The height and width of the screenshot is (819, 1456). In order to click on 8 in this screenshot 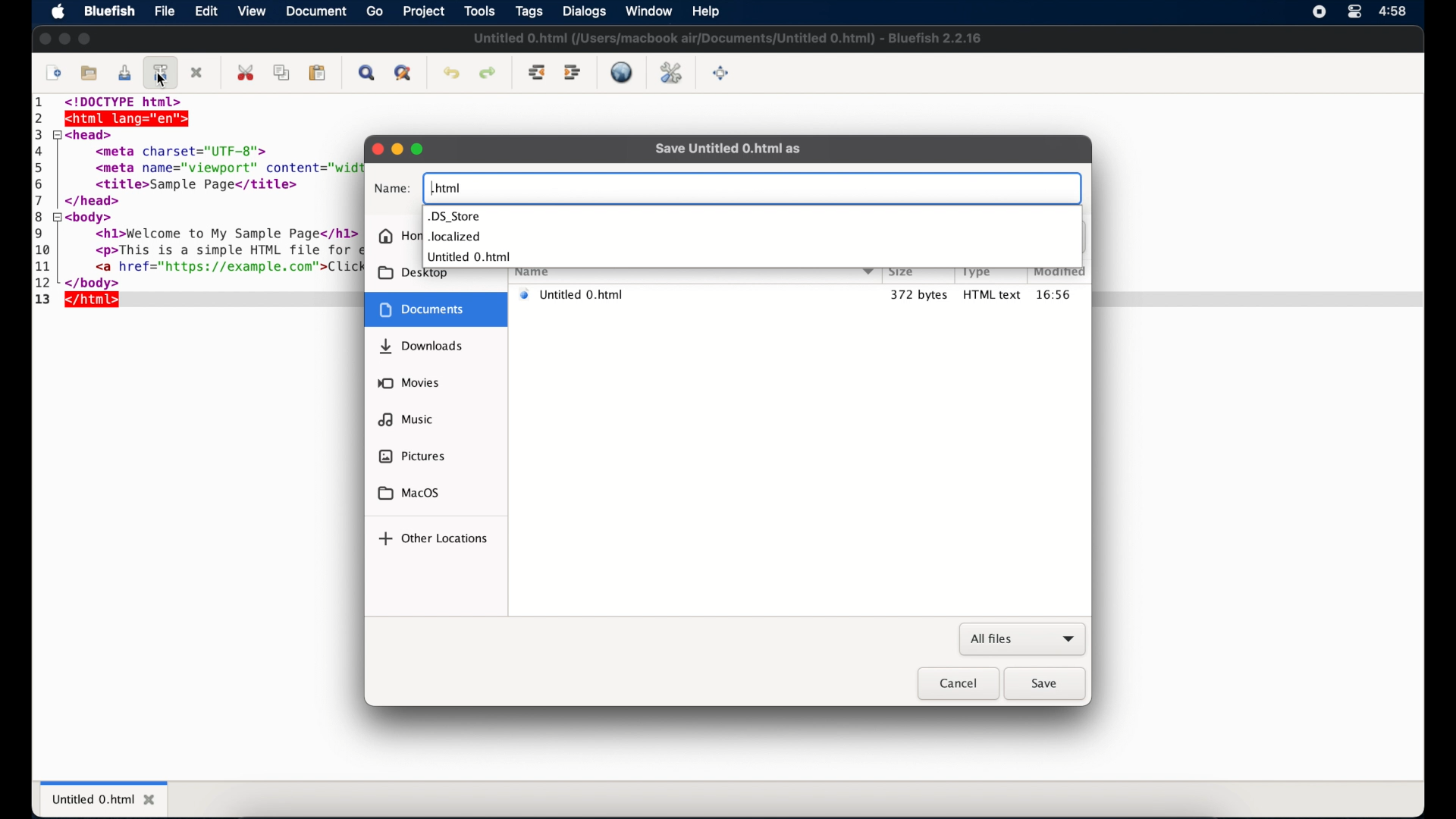, I will do `click(41, 216)`.